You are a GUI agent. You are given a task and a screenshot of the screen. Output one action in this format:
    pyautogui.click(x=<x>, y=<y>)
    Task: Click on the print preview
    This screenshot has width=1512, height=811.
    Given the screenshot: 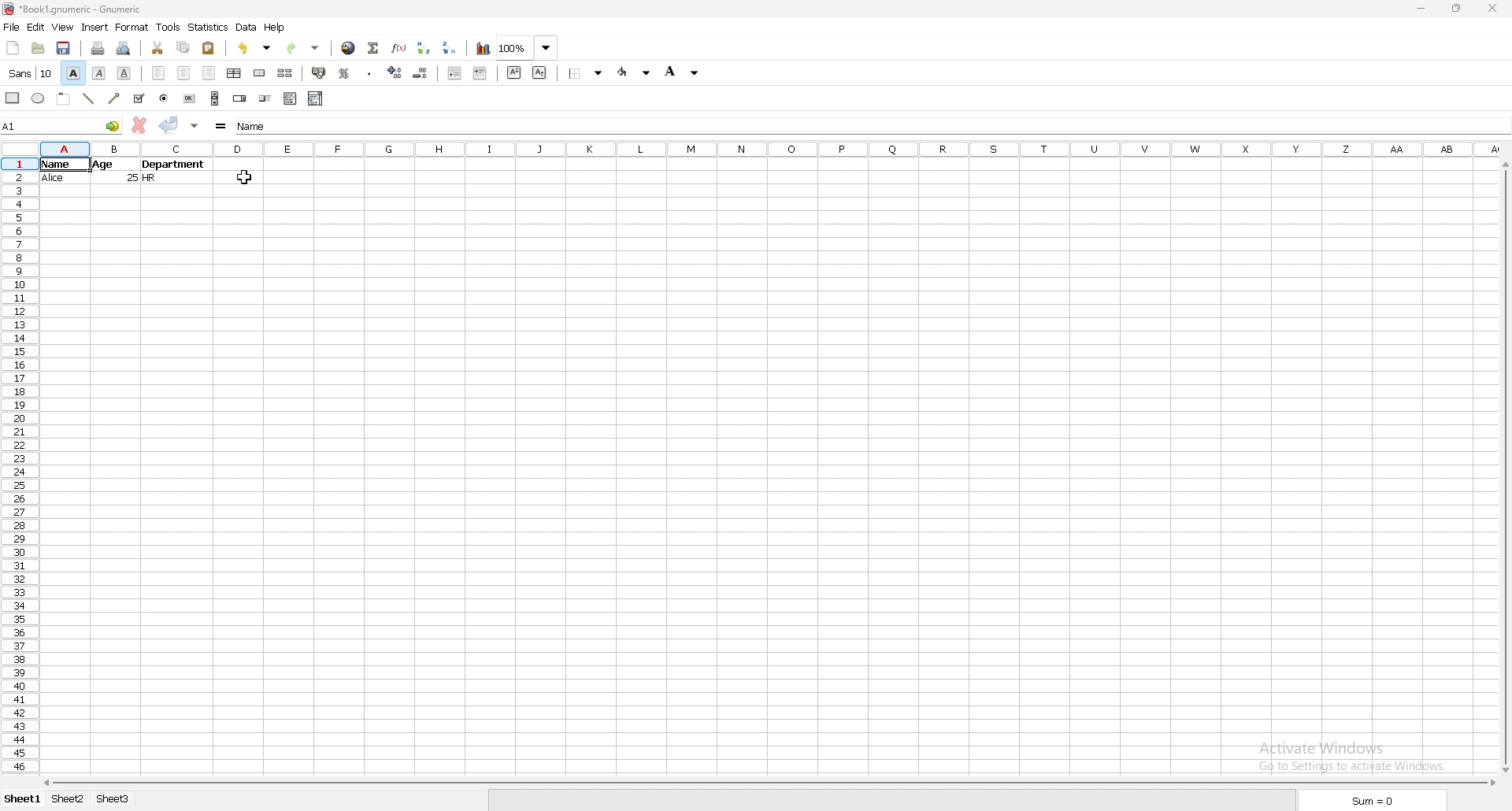 What is the action you would take?
    pyautogui.click(x=125, y=48)
    